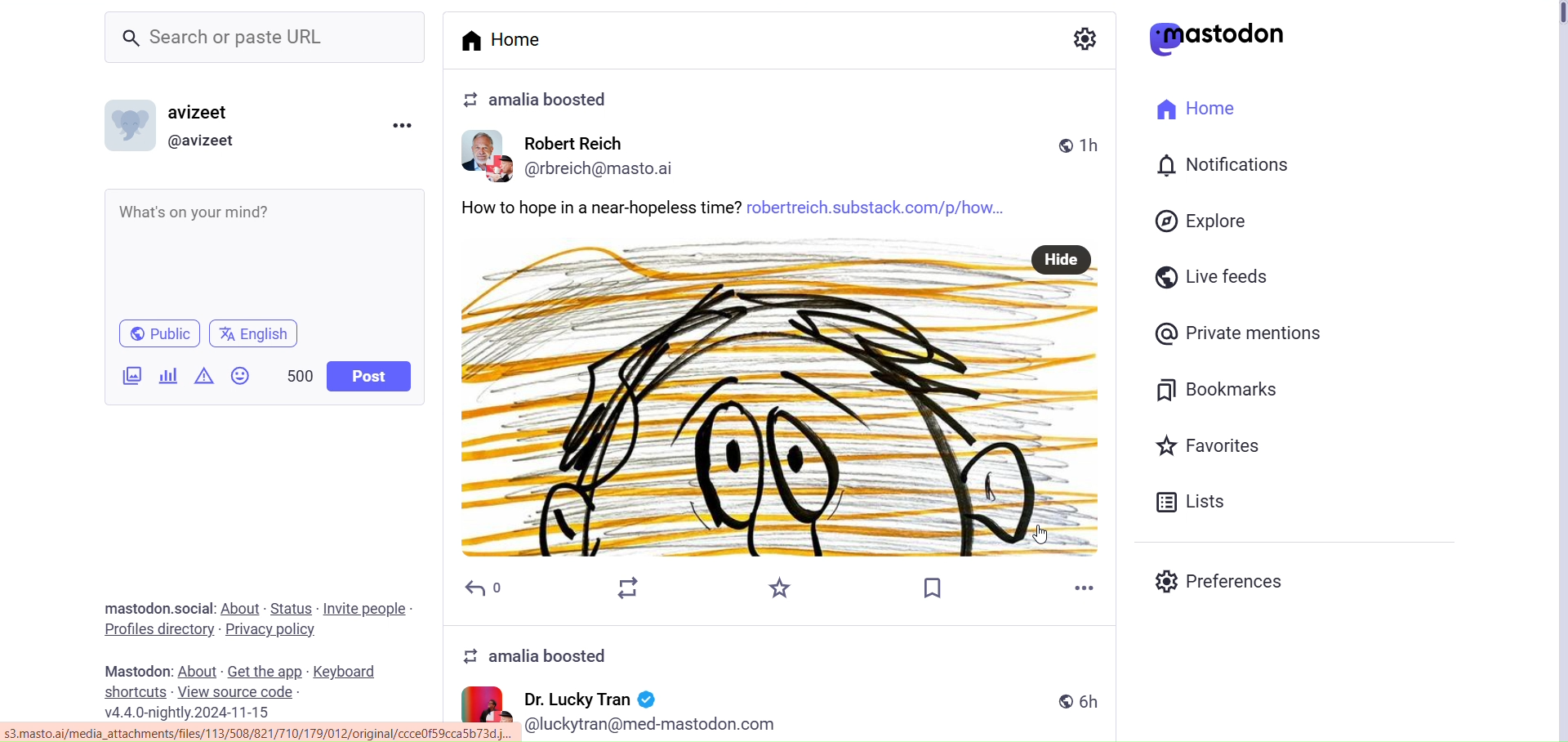 This screenshot has width=1568, height=742. I want to click on Content Warning, so click(204, 375).